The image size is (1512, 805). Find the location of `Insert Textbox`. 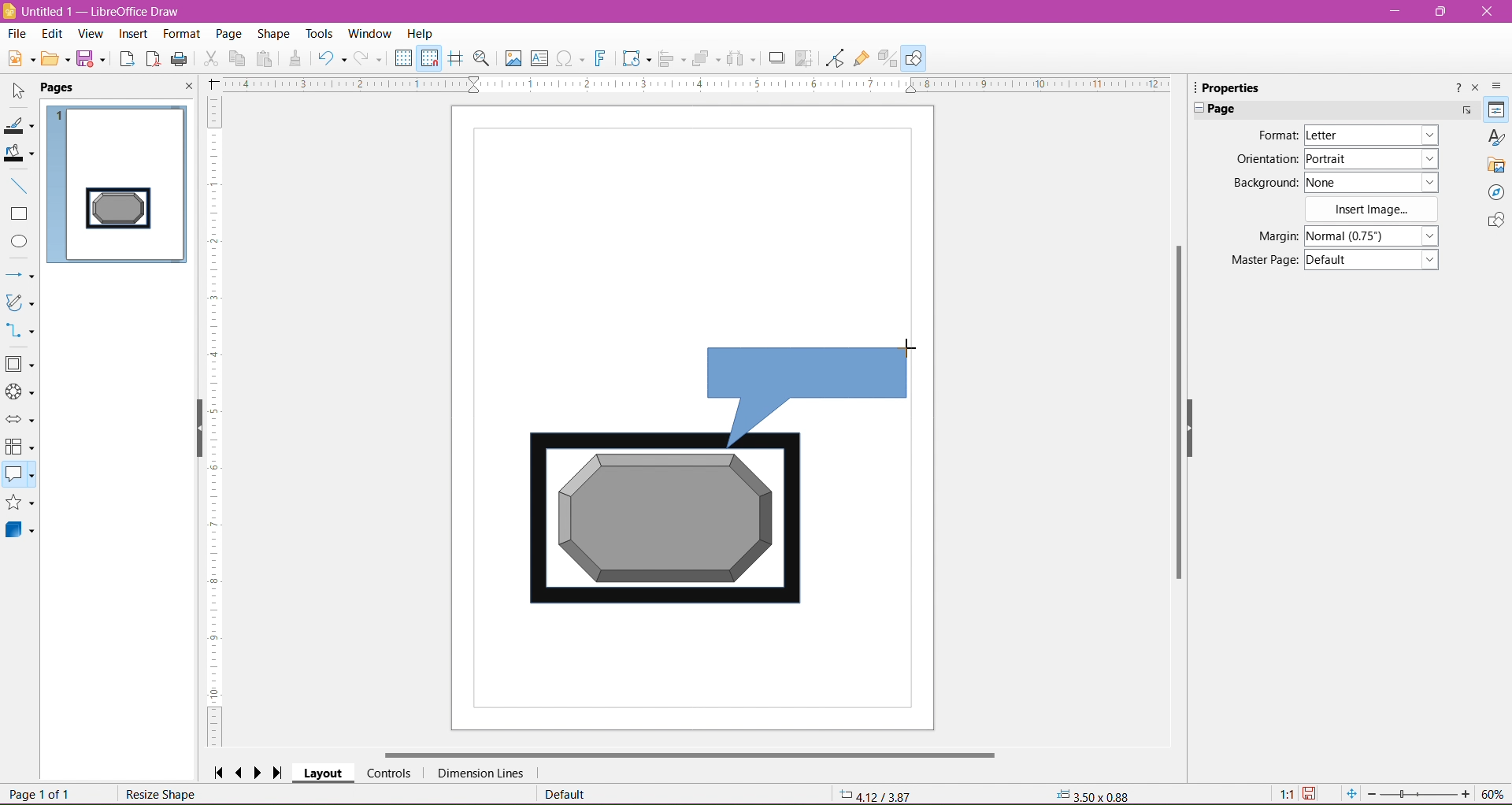

Insert Textbox is located at coordinates (539, 58).